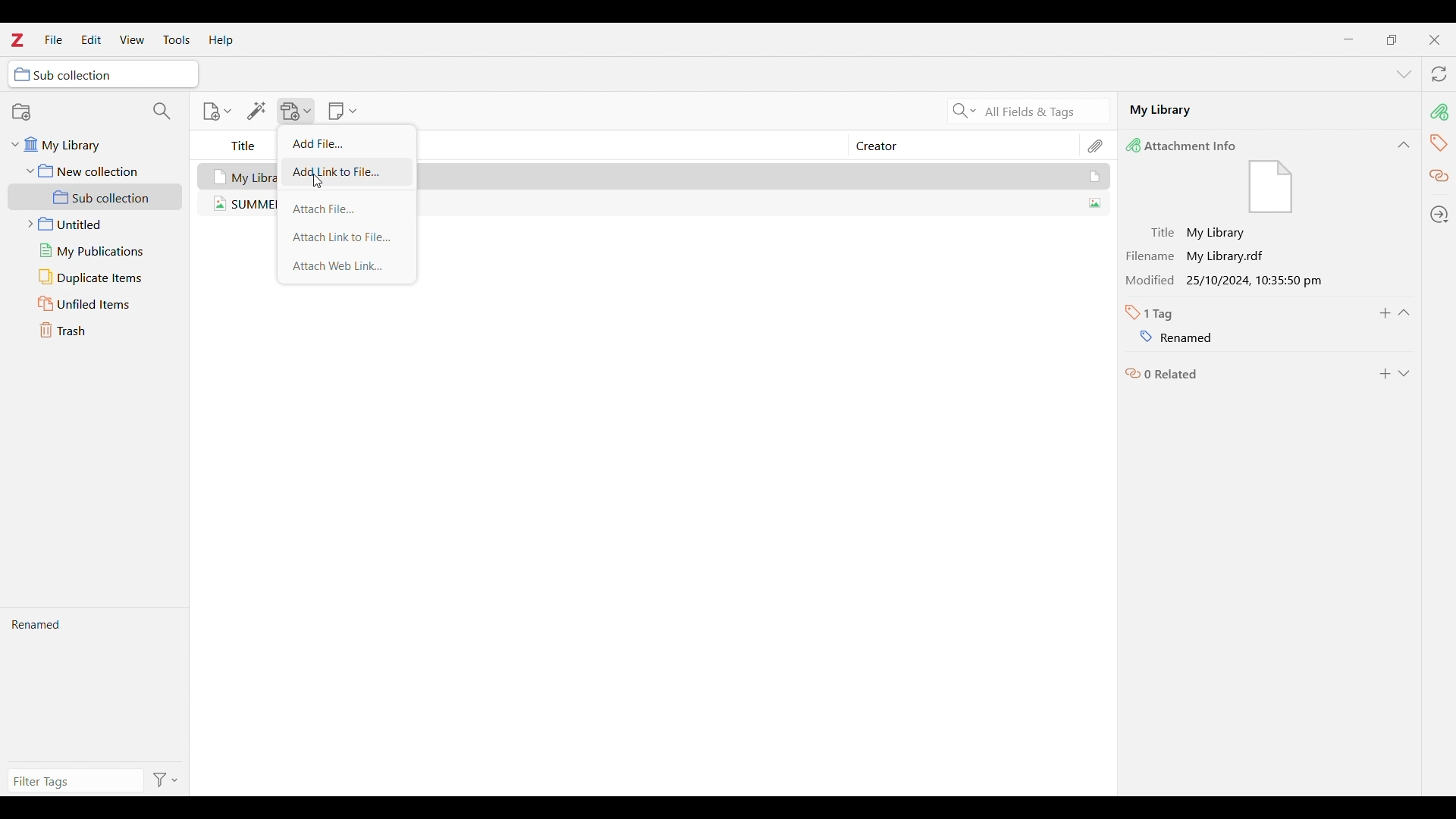 This screenshot has width=1456, height=819. What do you see at coordinates (94, 171) in the screenshot?
I see `New collection folder` at bounding box center [94, 171].